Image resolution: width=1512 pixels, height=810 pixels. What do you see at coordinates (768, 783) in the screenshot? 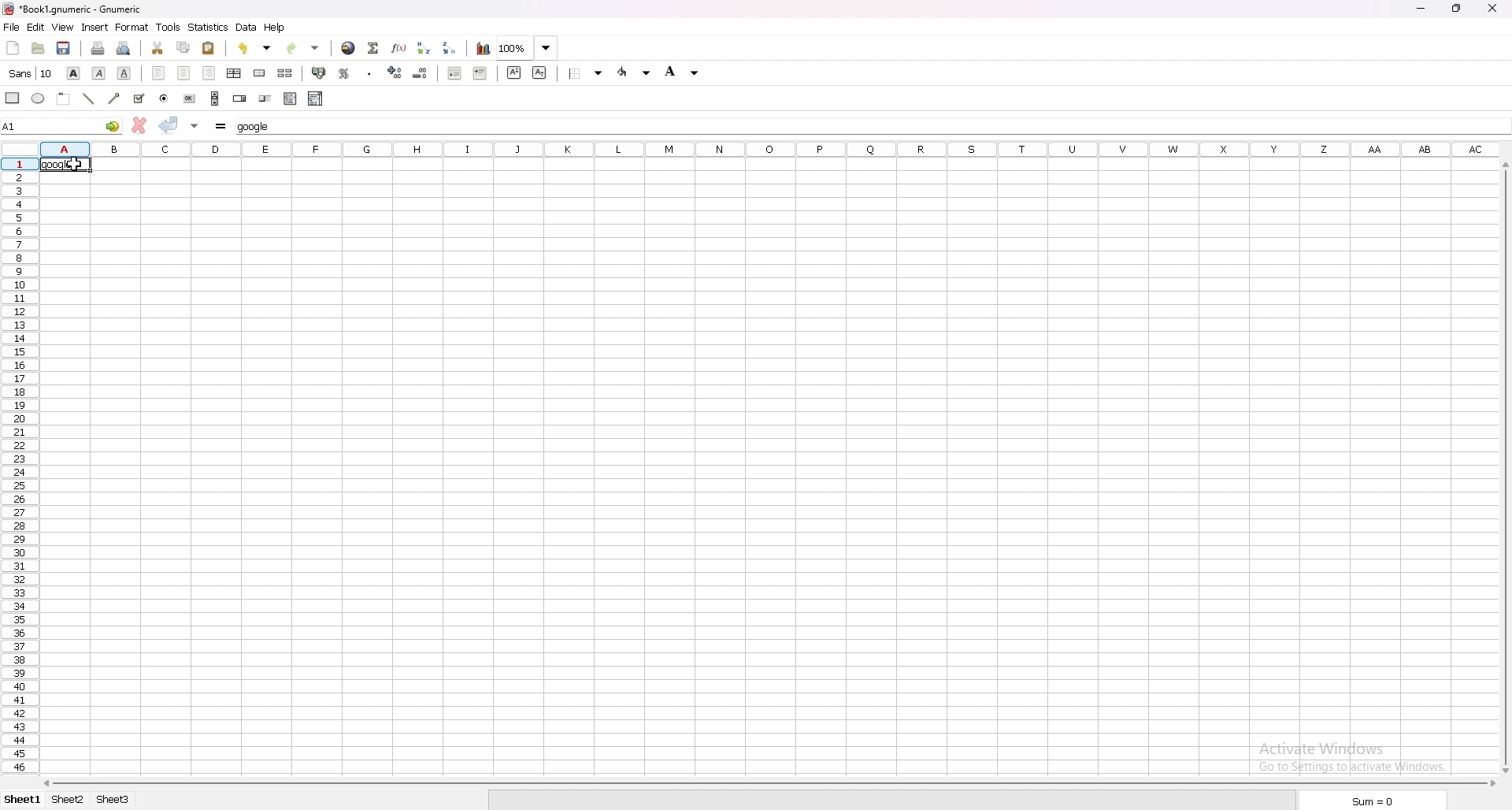
I see `scroll bar` at bounding box center [768, 783].